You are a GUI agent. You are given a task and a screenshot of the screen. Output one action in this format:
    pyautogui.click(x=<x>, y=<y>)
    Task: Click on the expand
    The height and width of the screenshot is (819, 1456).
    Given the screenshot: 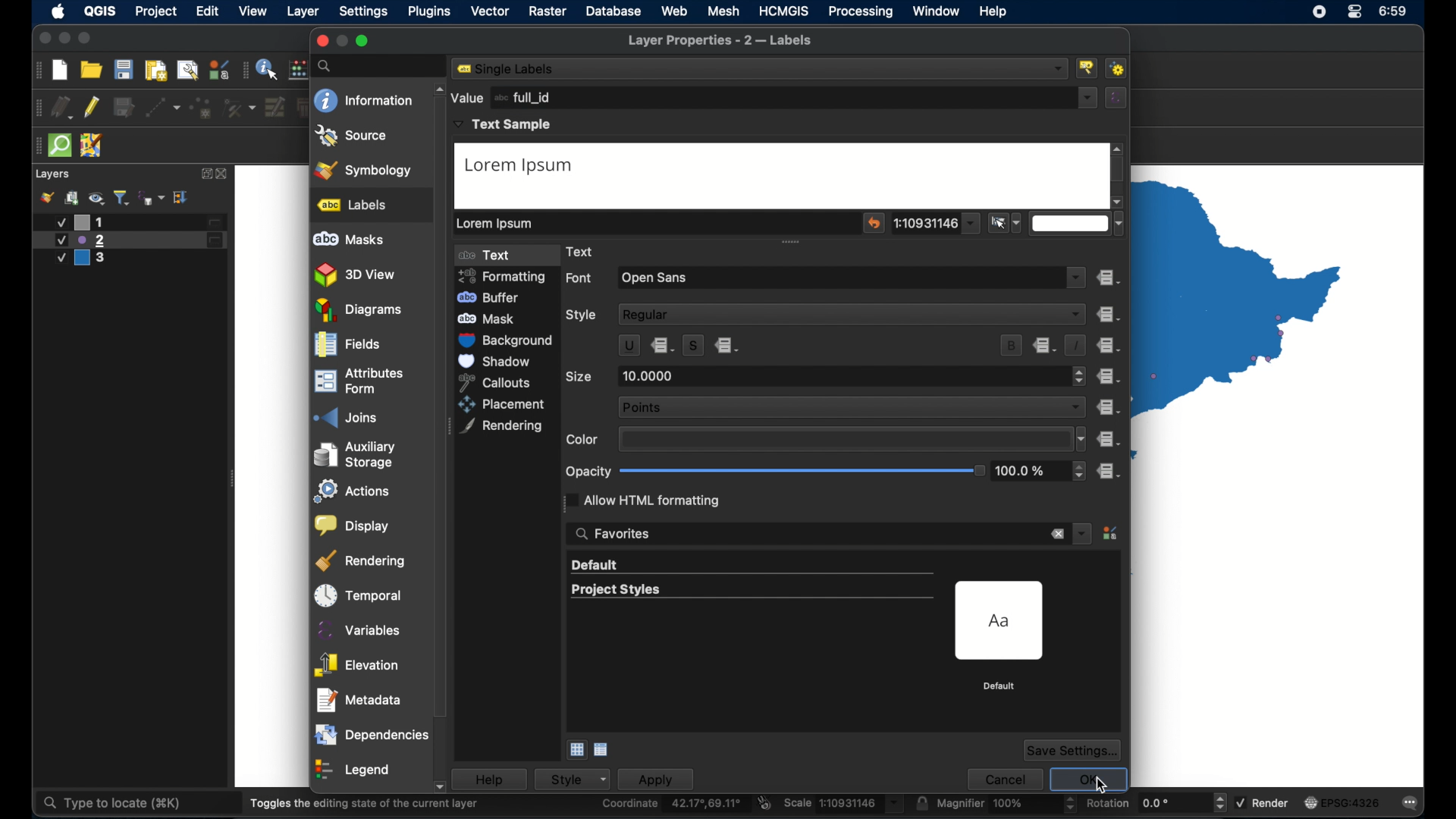 What is the action you would take?
    pyautogui.click(x=204, y=174)
    